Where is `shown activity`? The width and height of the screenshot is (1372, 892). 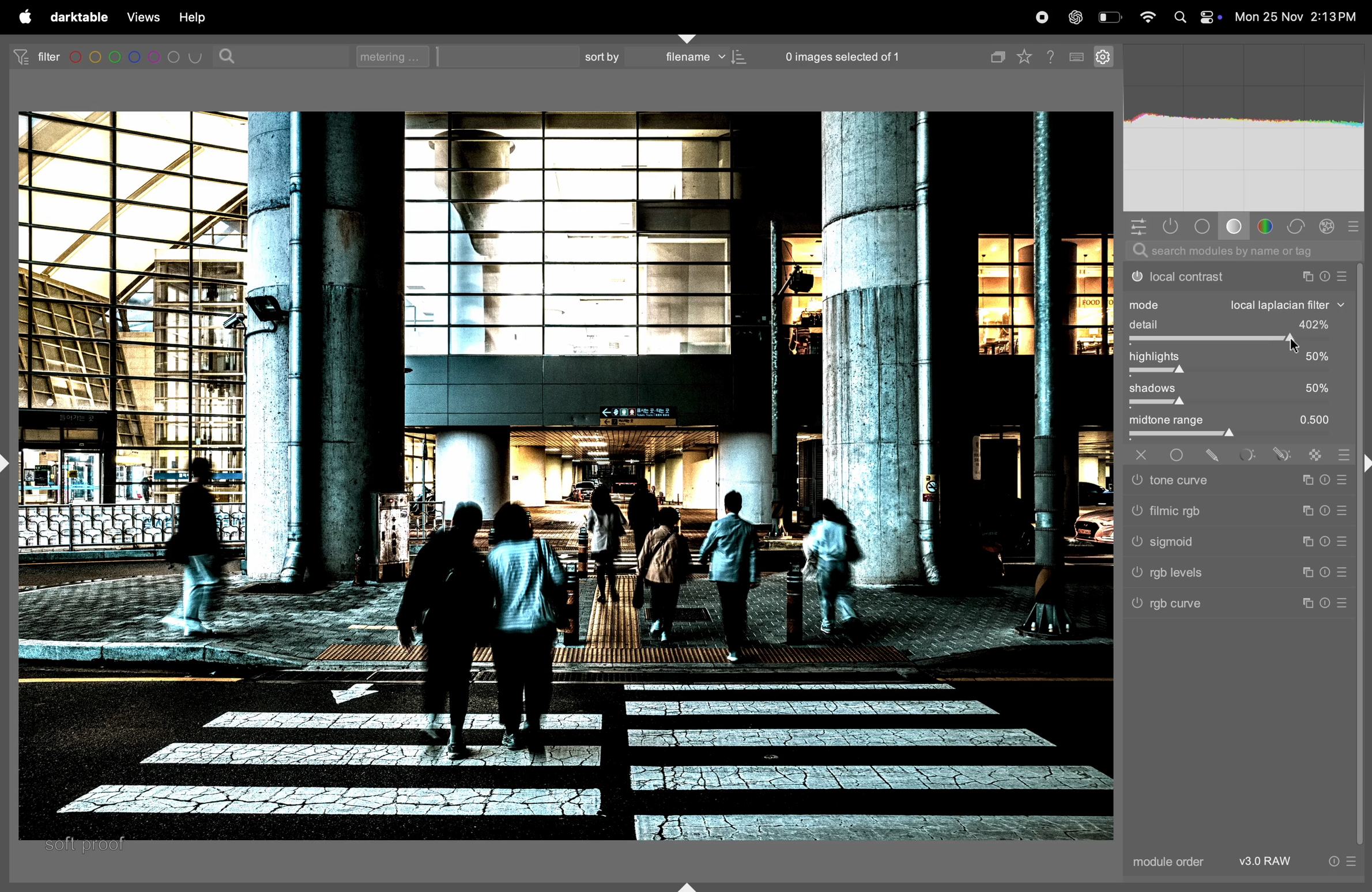 shown activity is located at coordinates (1174, 227).